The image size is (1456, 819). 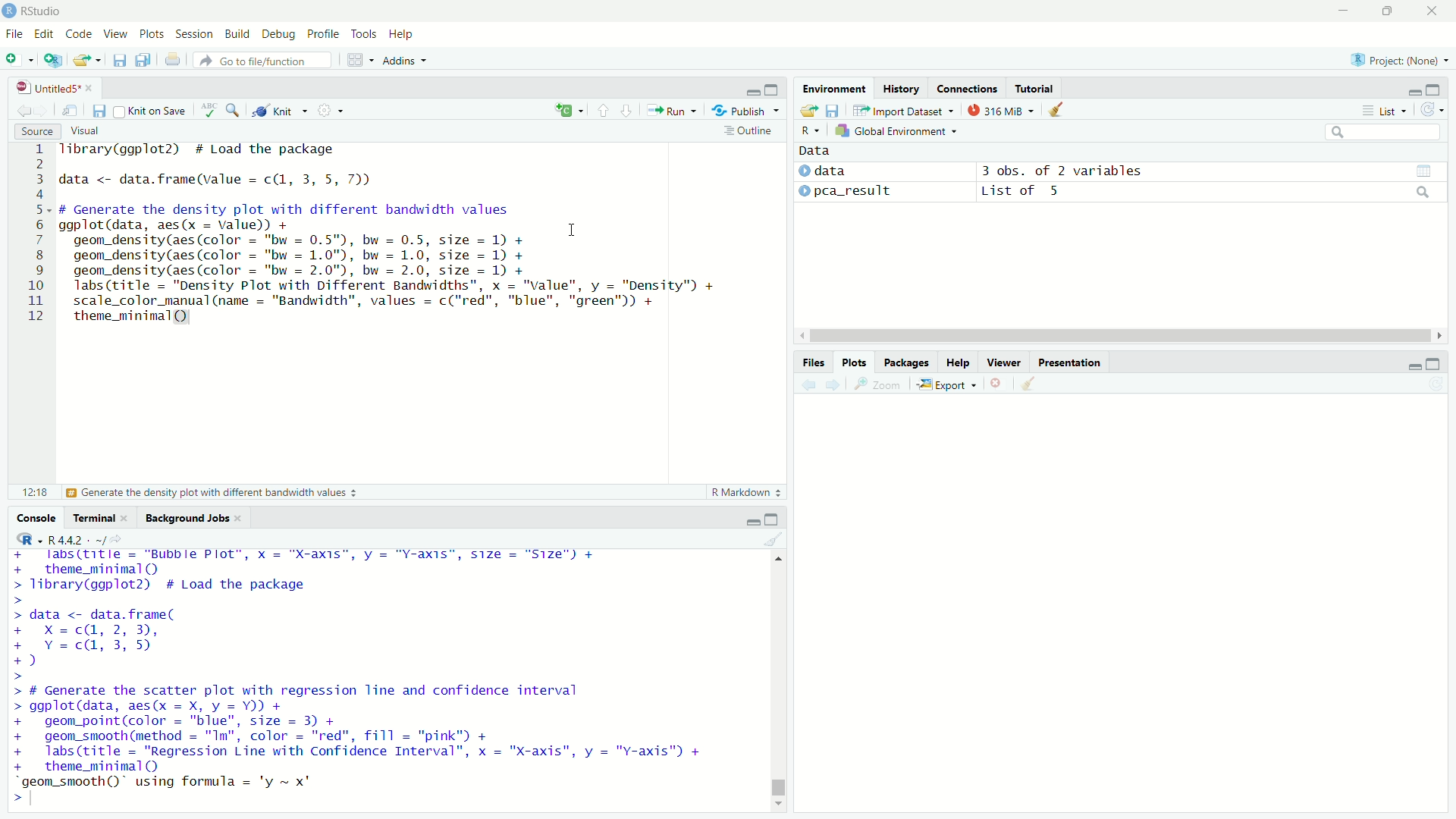 What do you see at coordinates (626, 109) in the screenshot?
I see `Go to next section/chunk` at bounding box center [626, 109].